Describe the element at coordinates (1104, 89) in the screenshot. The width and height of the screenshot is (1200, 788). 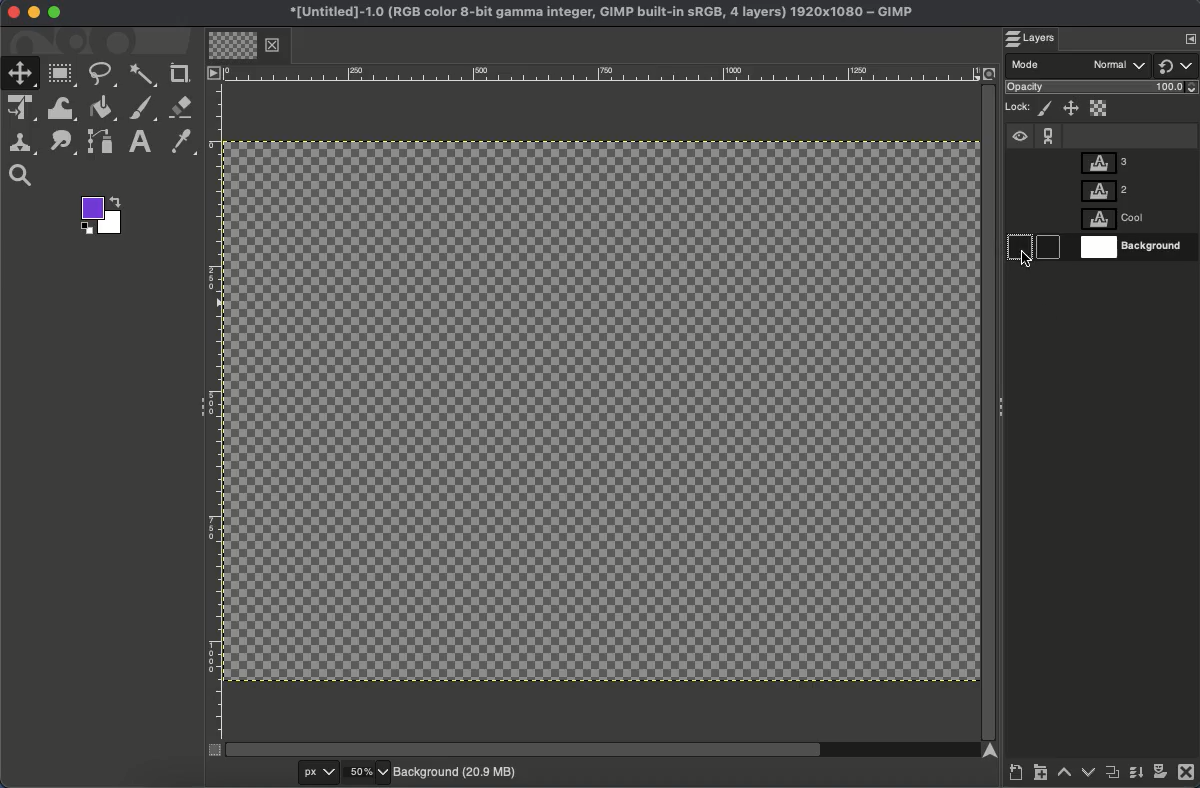
I see `Opacity` at that location.